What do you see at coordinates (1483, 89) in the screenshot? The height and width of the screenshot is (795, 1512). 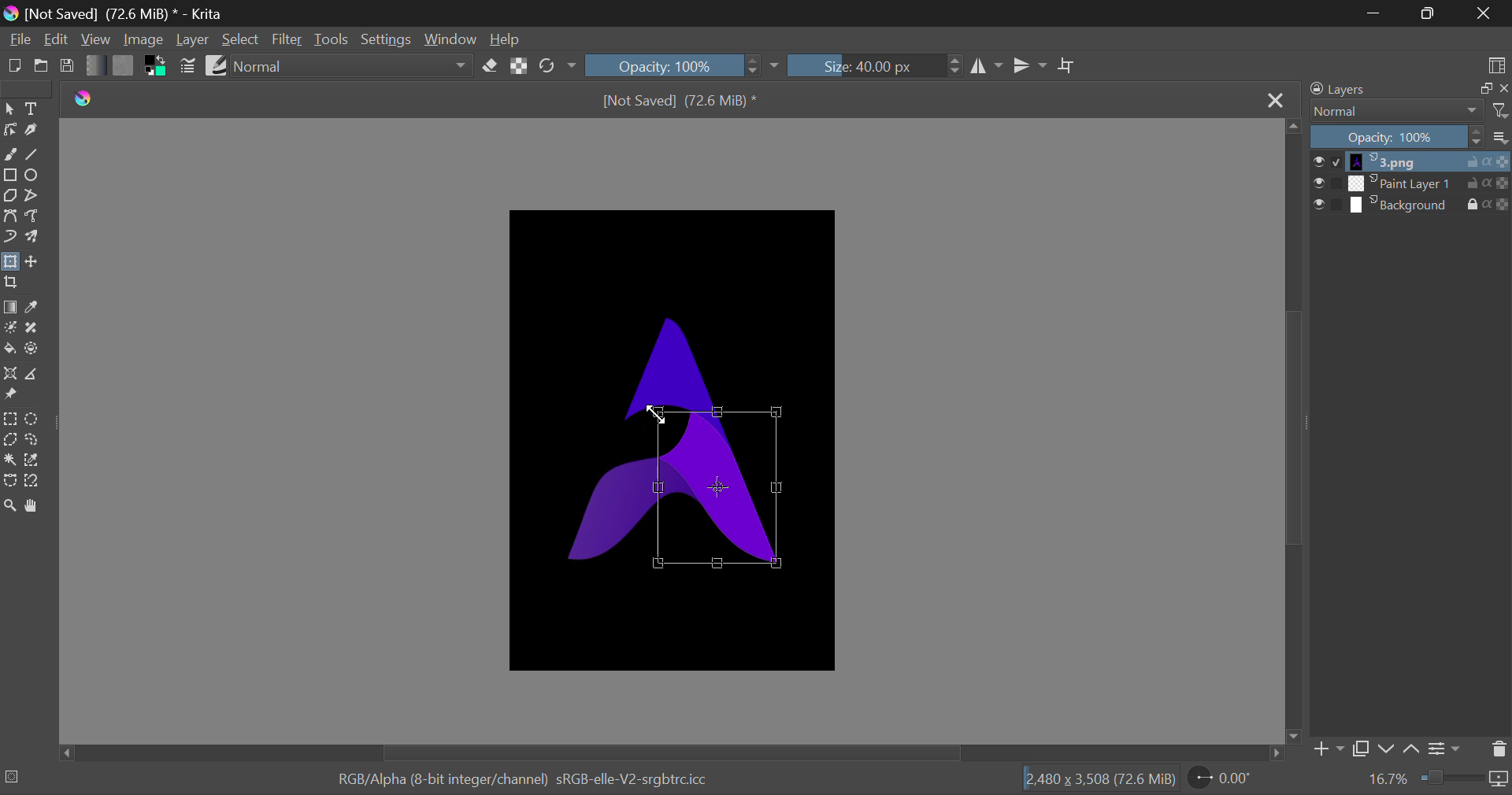 I see `copy` at bounding box center [1483, 89].